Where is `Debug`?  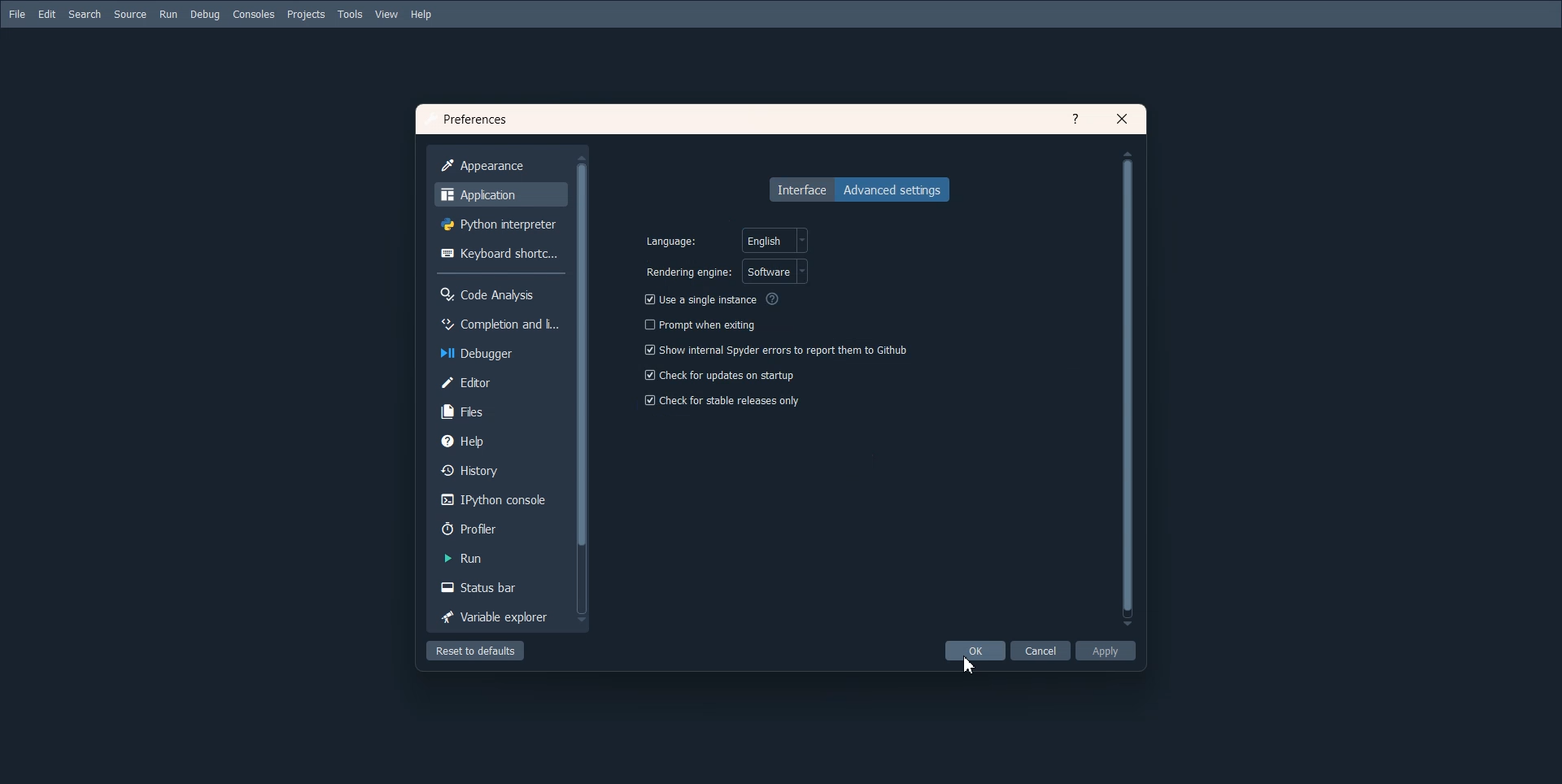 Debug is located at coordinates (205, 15).